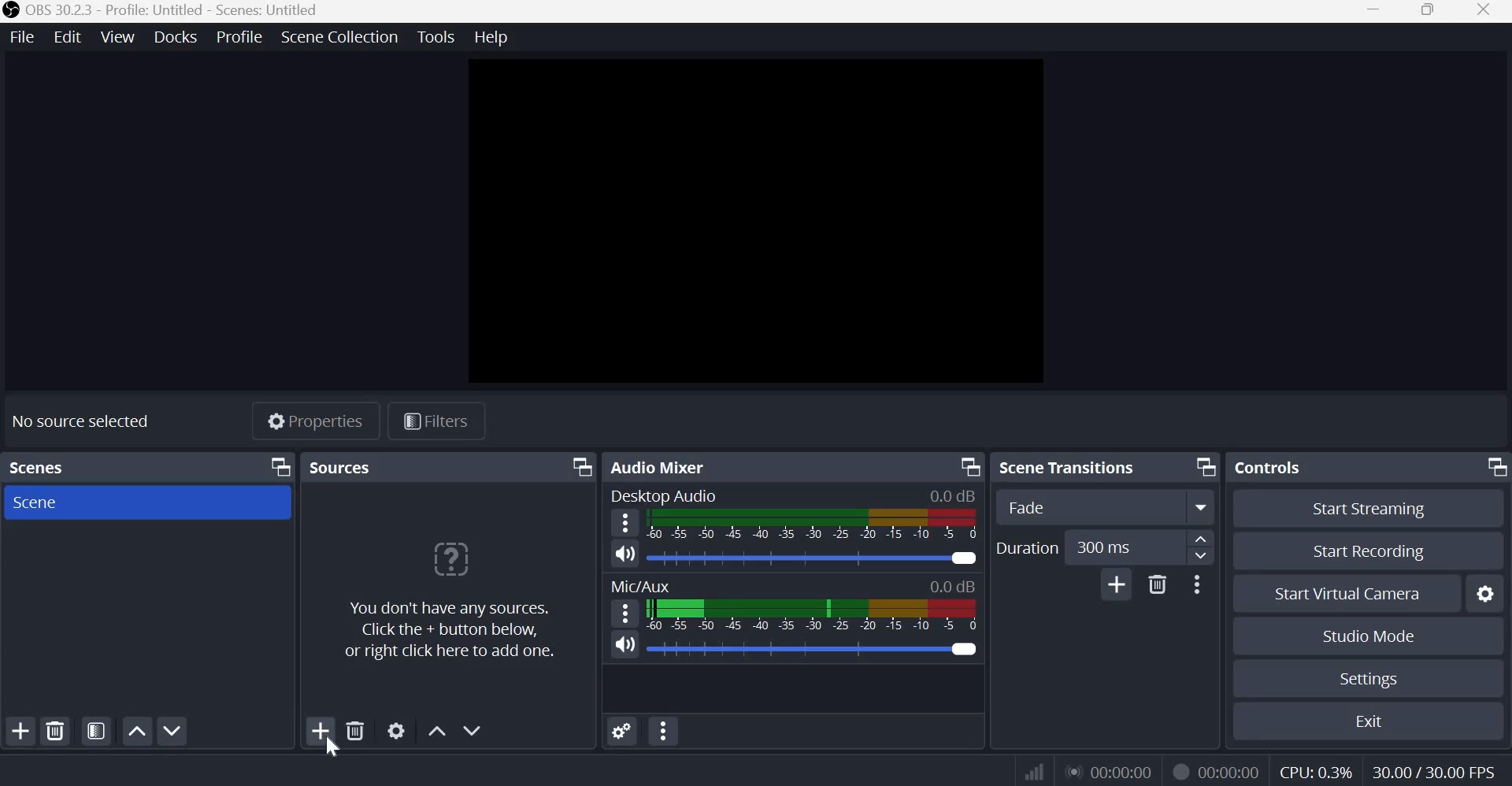 The image size is (1512, 786). I want to click on Duration, so click(1026, 547).